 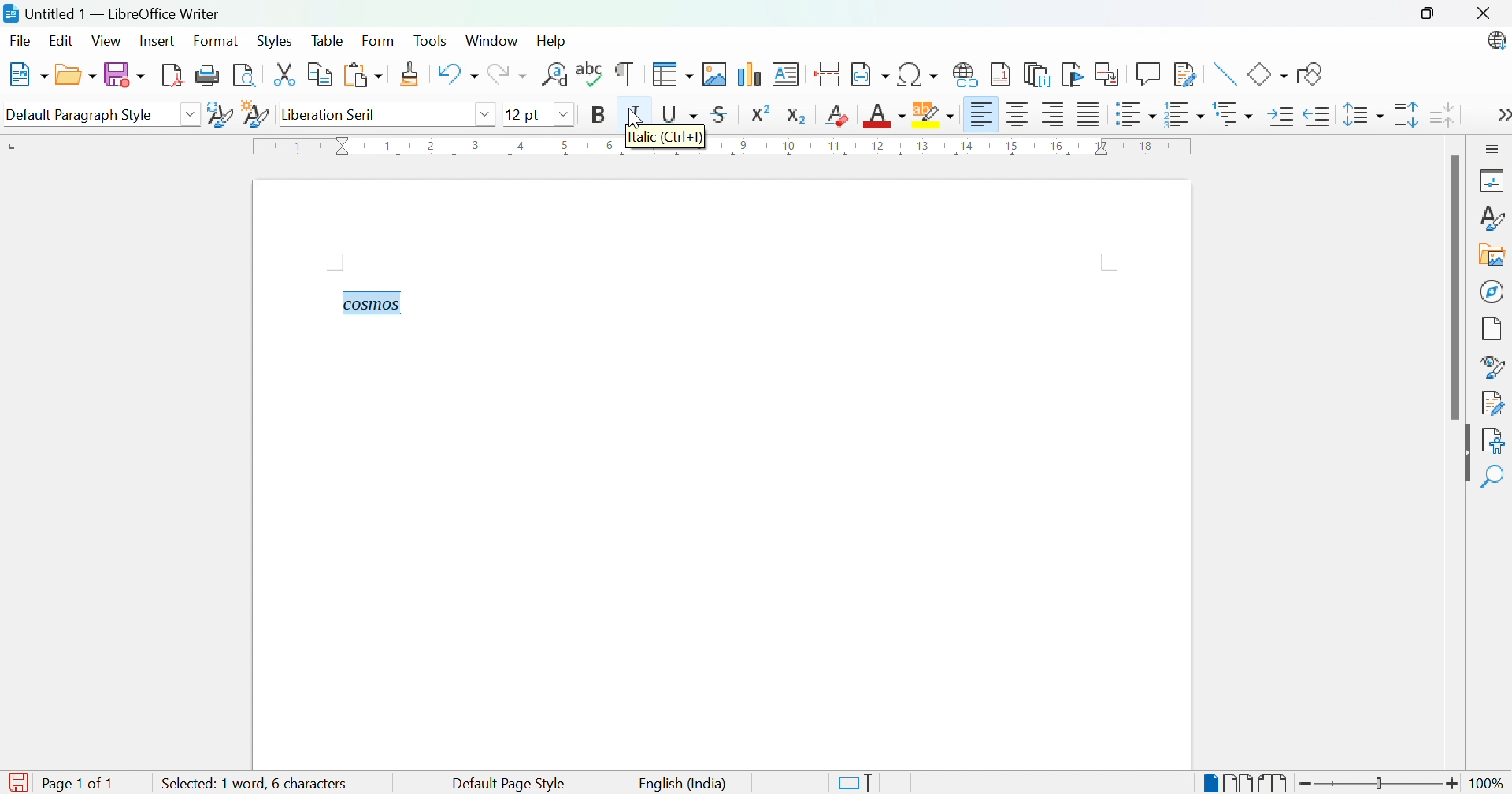 I want to click on New, so click(x=31, y=73).